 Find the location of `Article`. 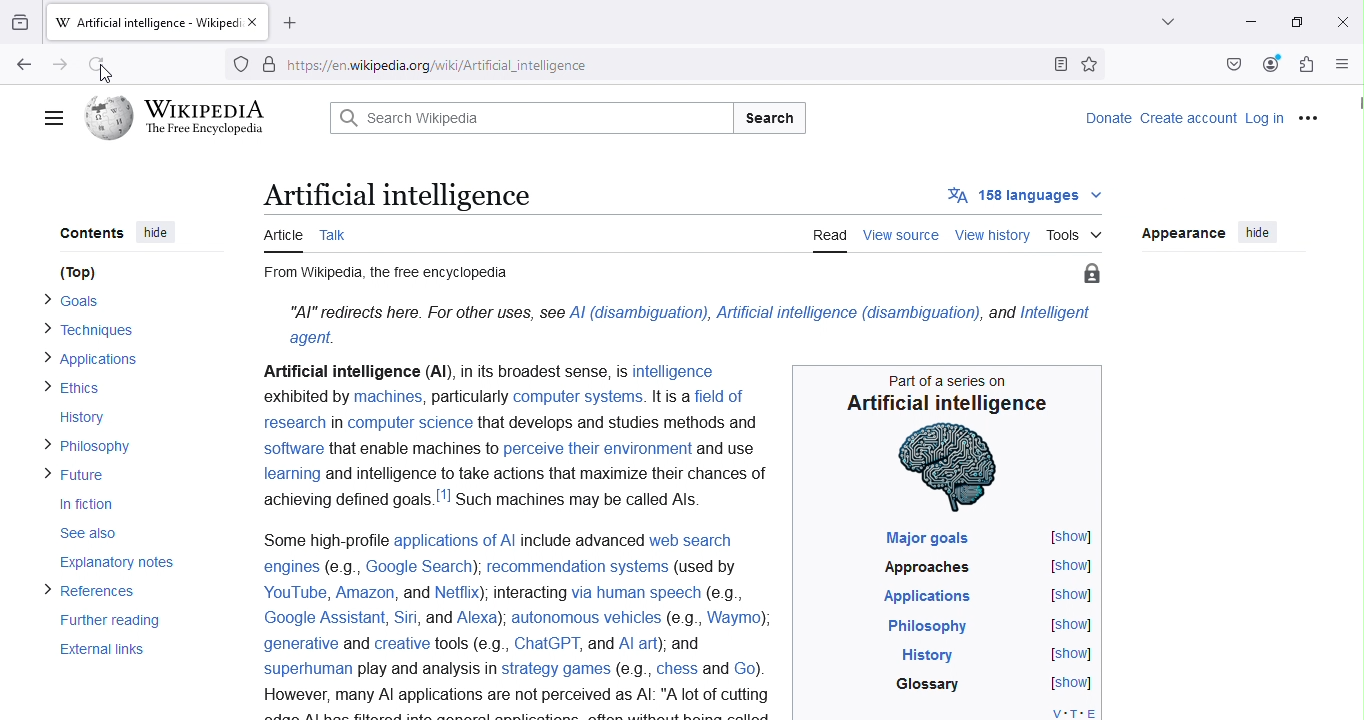

Article is located at coordinates (281, 238).